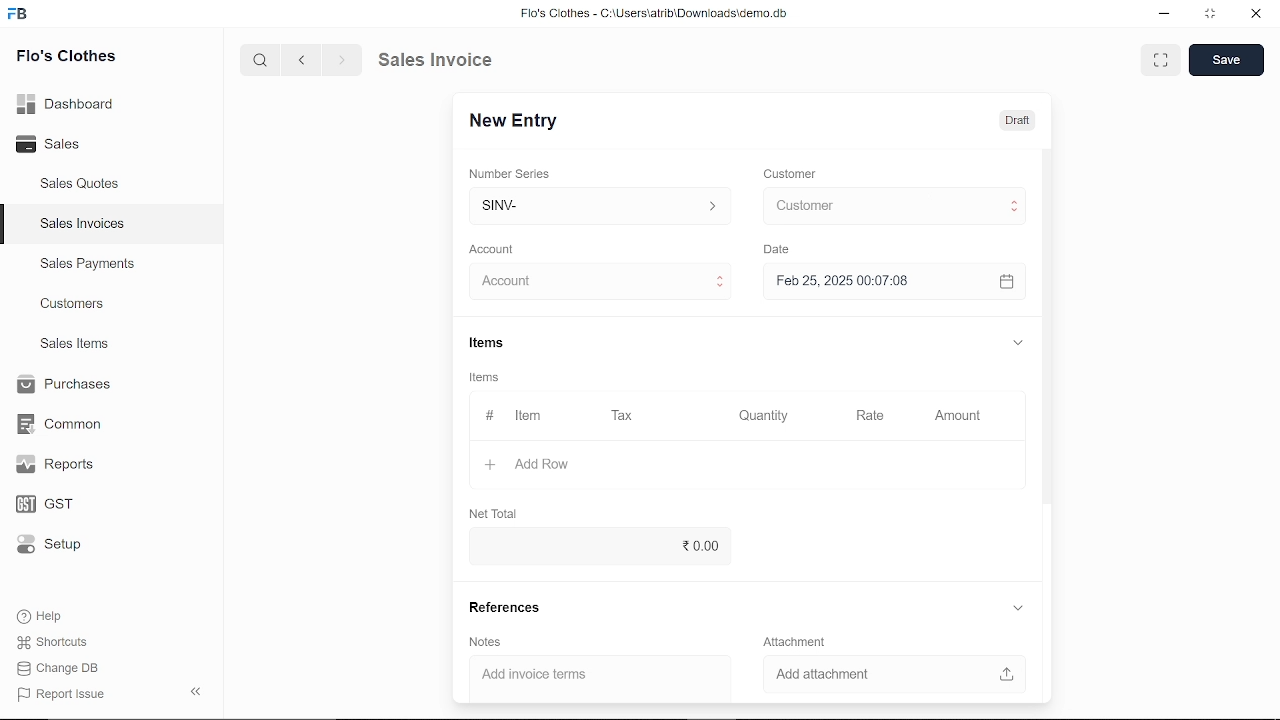  Describe the element at coordinates (54, 642) in the screenshot. I see `Shortcuts` at that location.